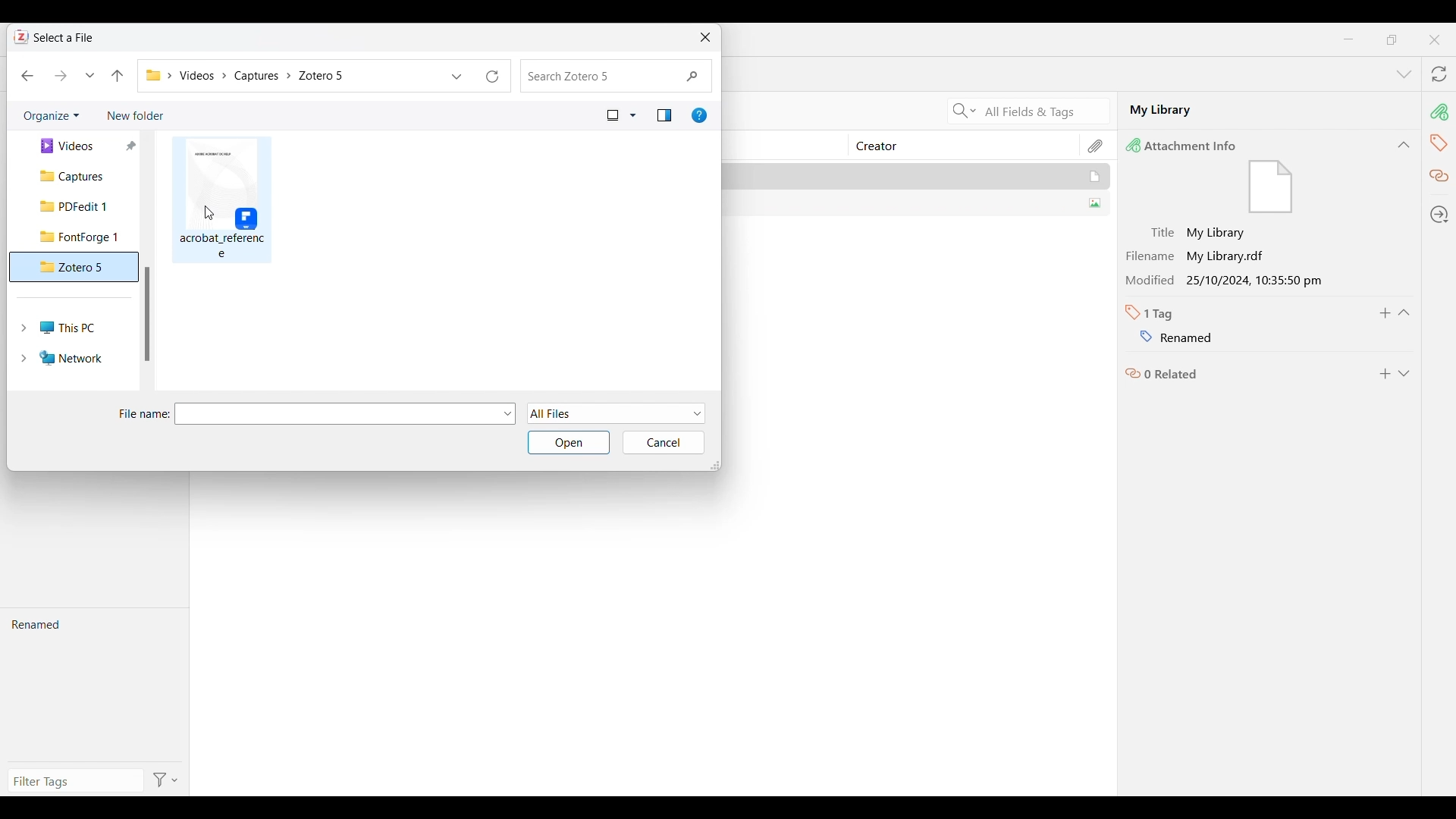 This screenshot has height=819, width=1456. Describe the element at coordinates (118, 77) in the screenshot. I see `Move to the previous folder in the folder pathway` at that location.